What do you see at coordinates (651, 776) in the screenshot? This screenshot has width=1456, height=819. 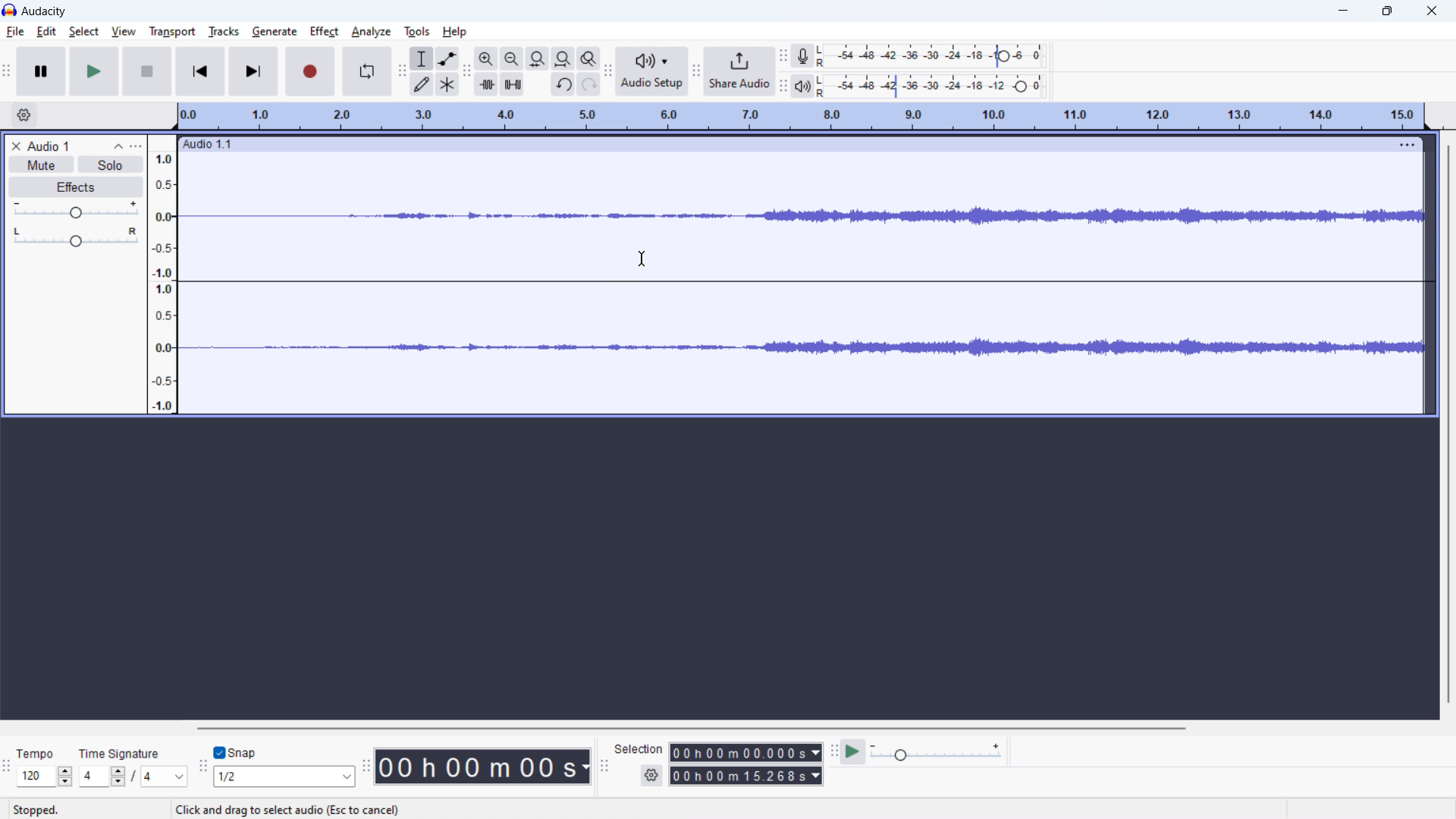 I see `settings` at bounding box center [651, 776].